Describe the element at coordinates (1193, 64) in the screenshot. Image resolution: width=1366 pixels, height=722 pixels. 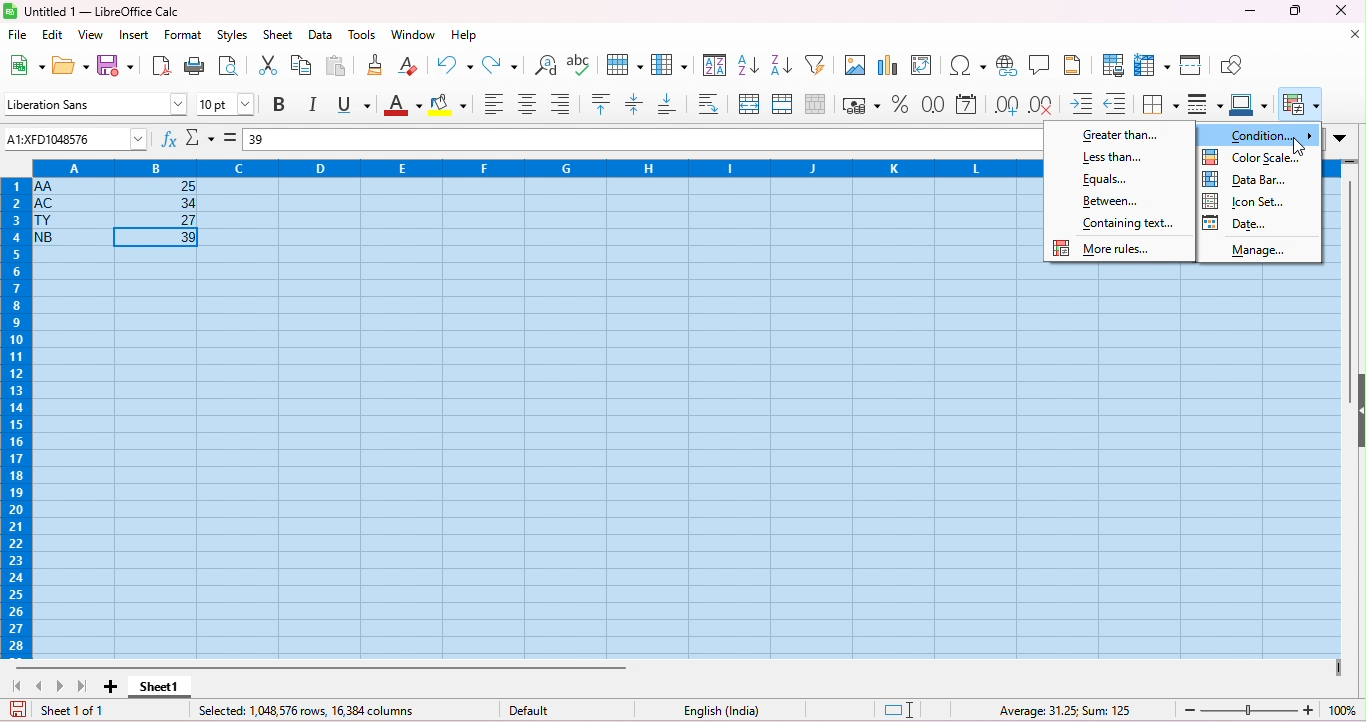
I see `split ` at that location.